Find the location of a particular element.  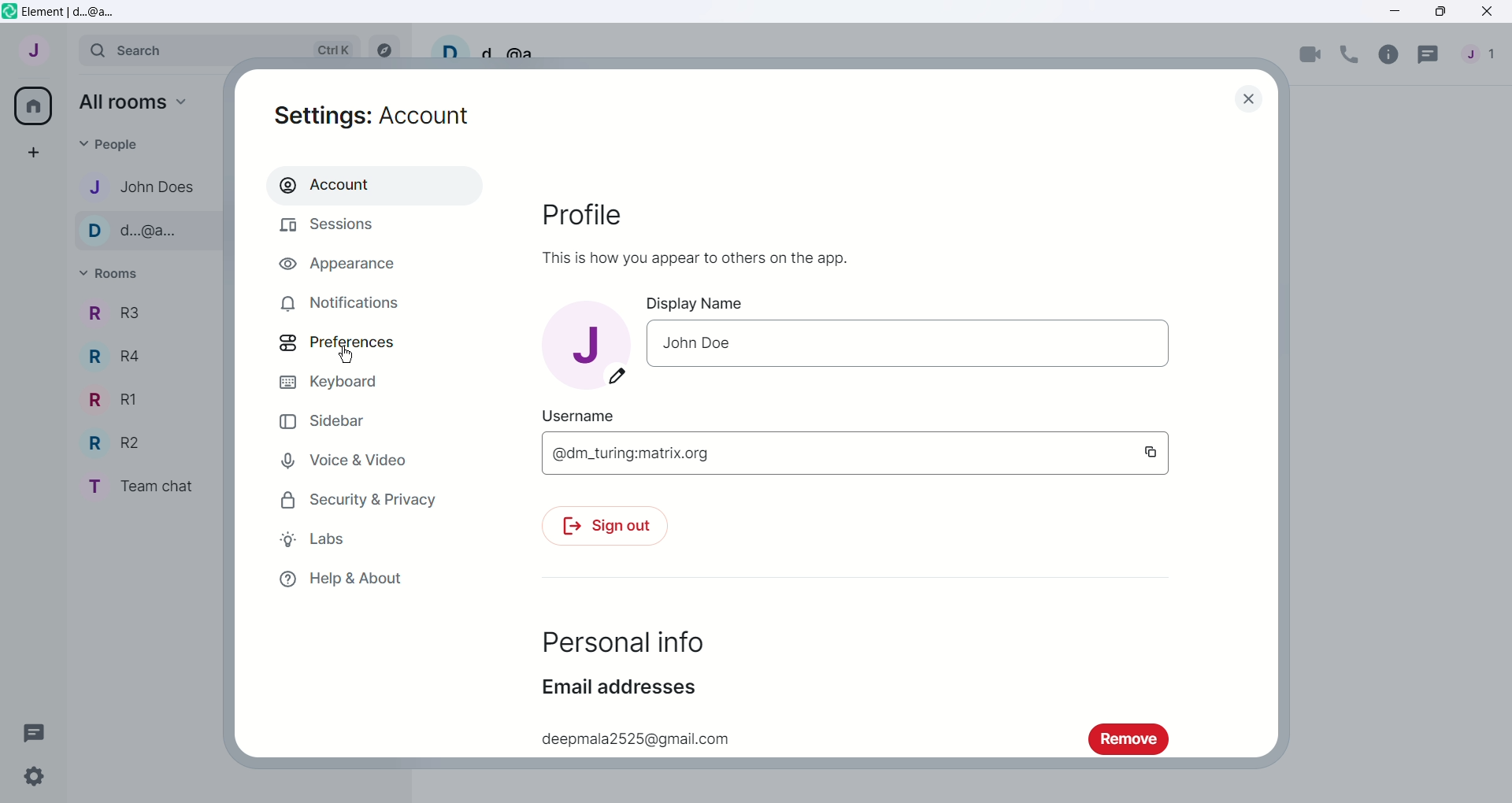

Threads is located at coordinates (35, 732).